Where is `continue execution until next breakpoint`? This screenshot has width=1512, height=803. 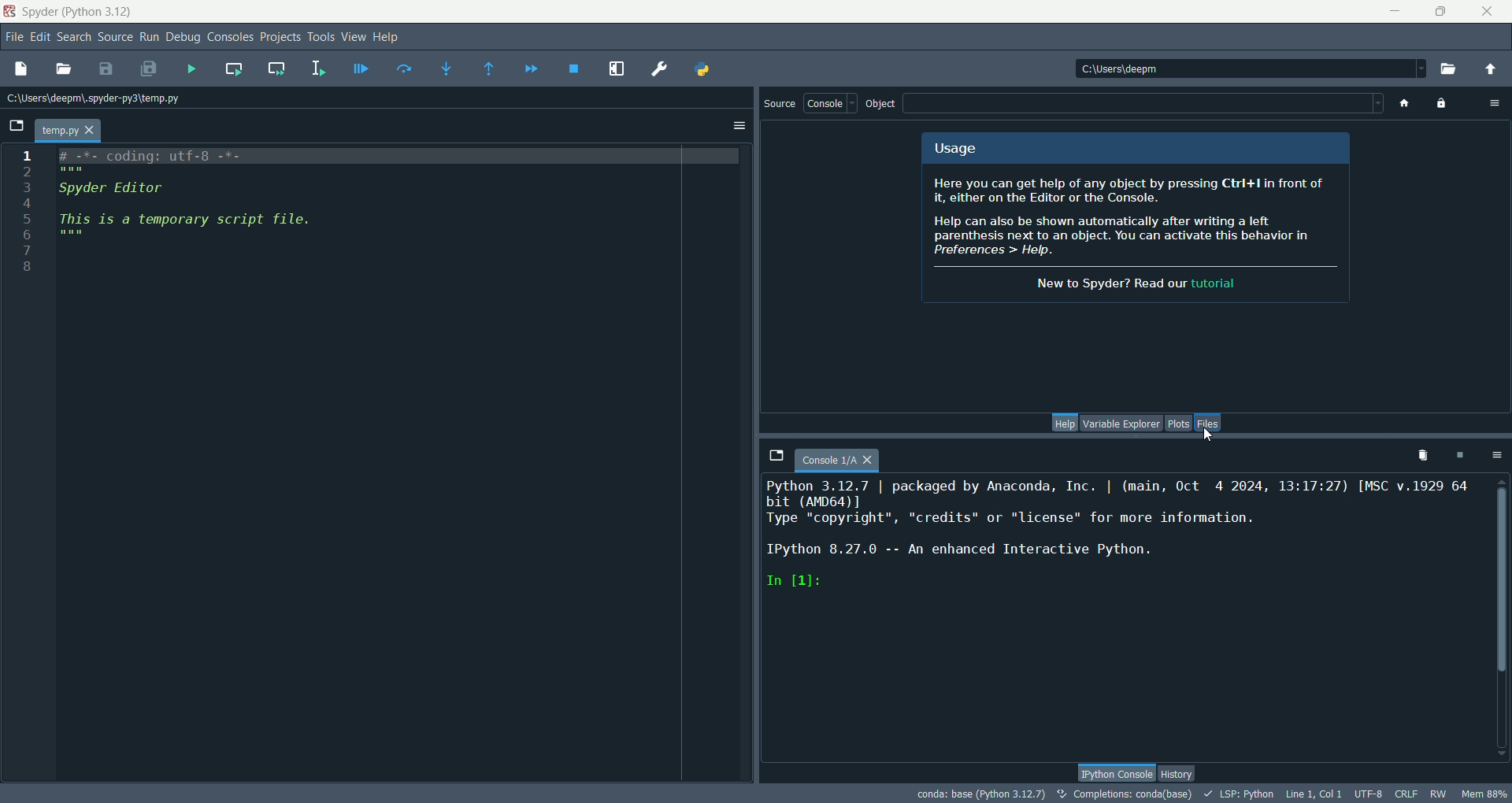
continue execution until next breakpoint is located at coordinates (532, 70).